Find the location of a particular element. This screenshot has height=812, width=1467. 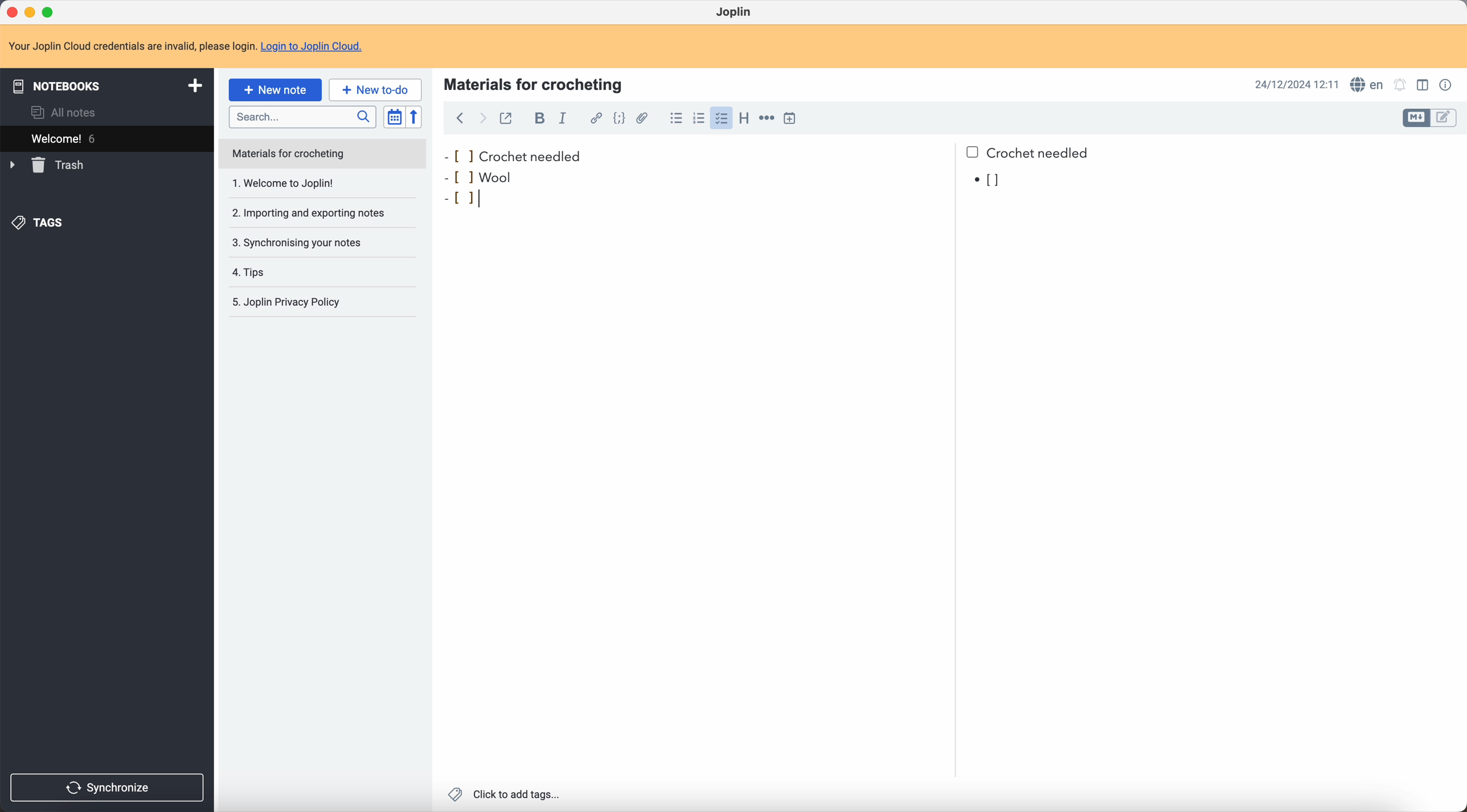

all notes is located at coordinates (67, 112).